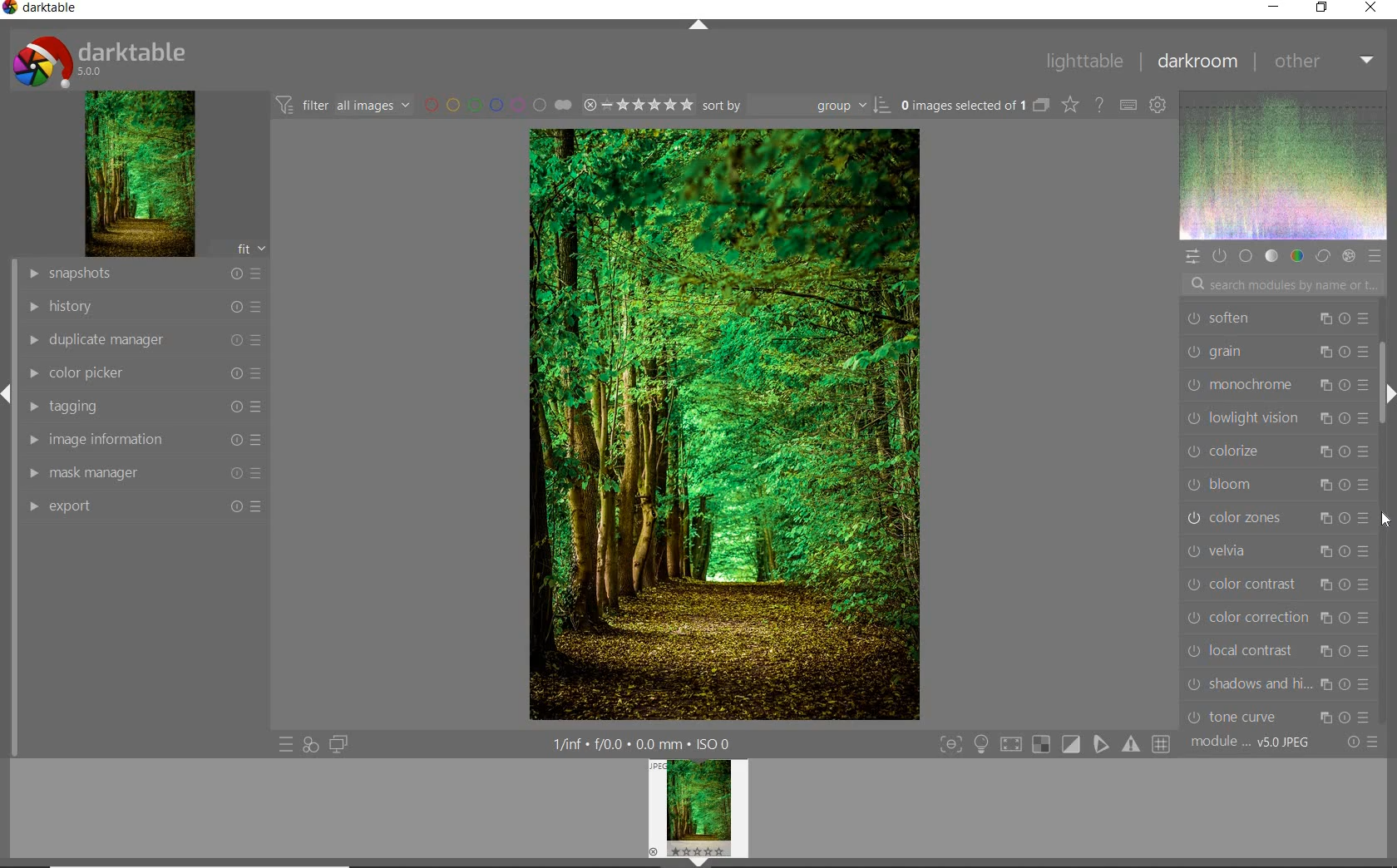 The height and width of the screenshot is (868, 1397). What do you see at coordinates (1325, 61) in the screenshot?
I see `OTHER` at bounding box center [1325, 61].